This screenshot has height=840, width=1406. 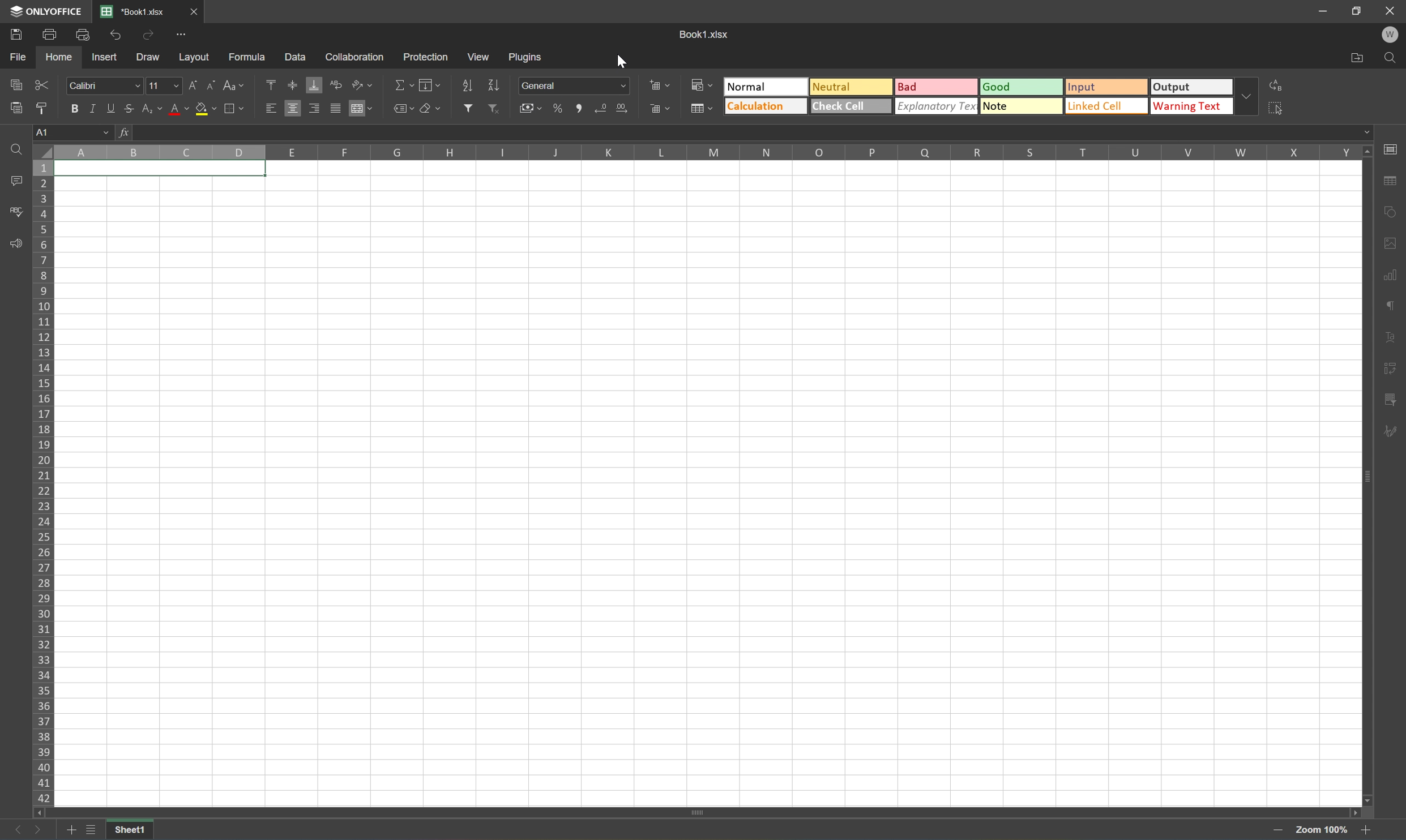 What do you see at coordinates (42, 84) in the screenshot?
I see `Cut` at bounding box center [42, 84].